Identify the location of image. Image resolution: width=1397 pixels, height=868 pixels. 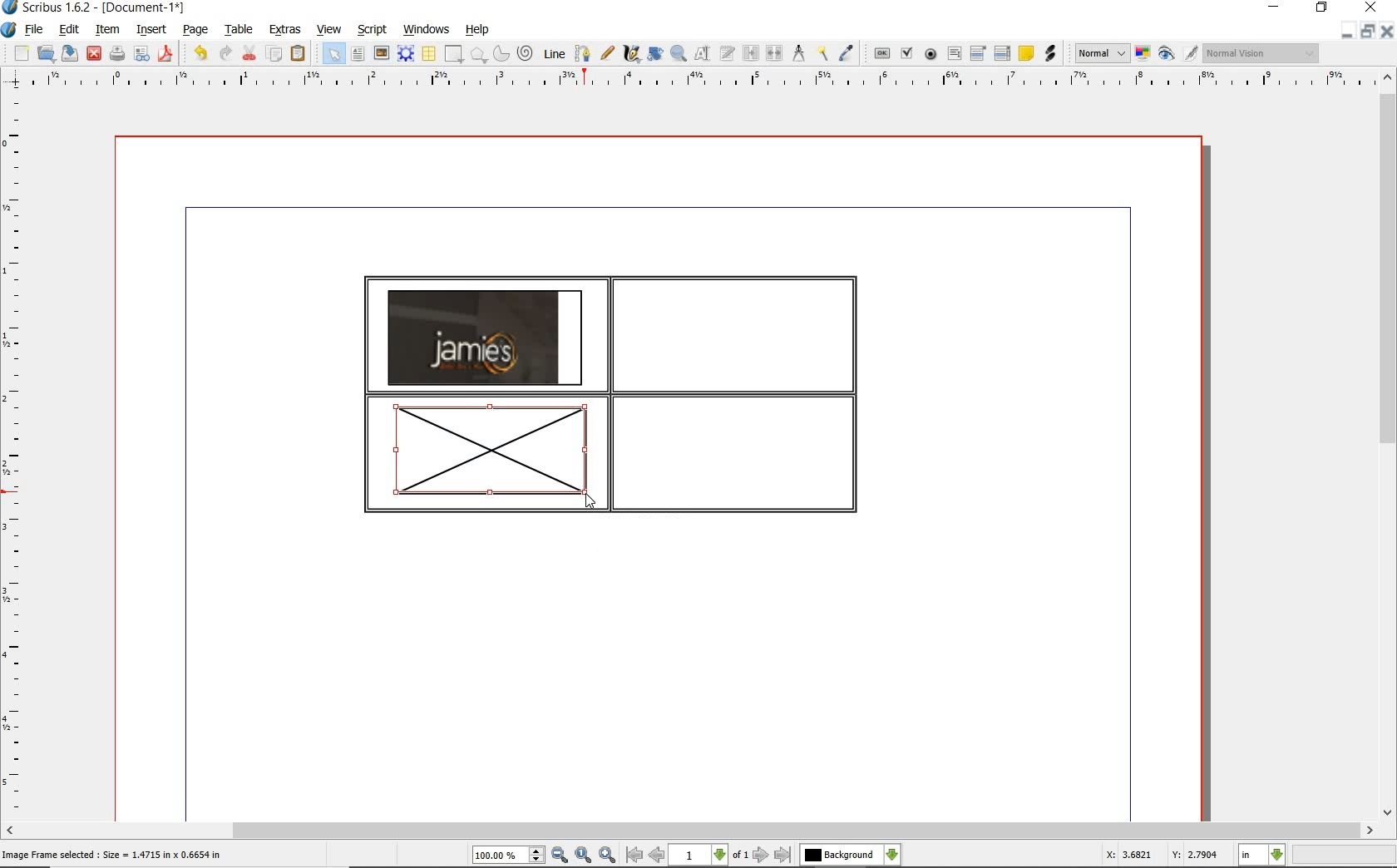
(382, 54).